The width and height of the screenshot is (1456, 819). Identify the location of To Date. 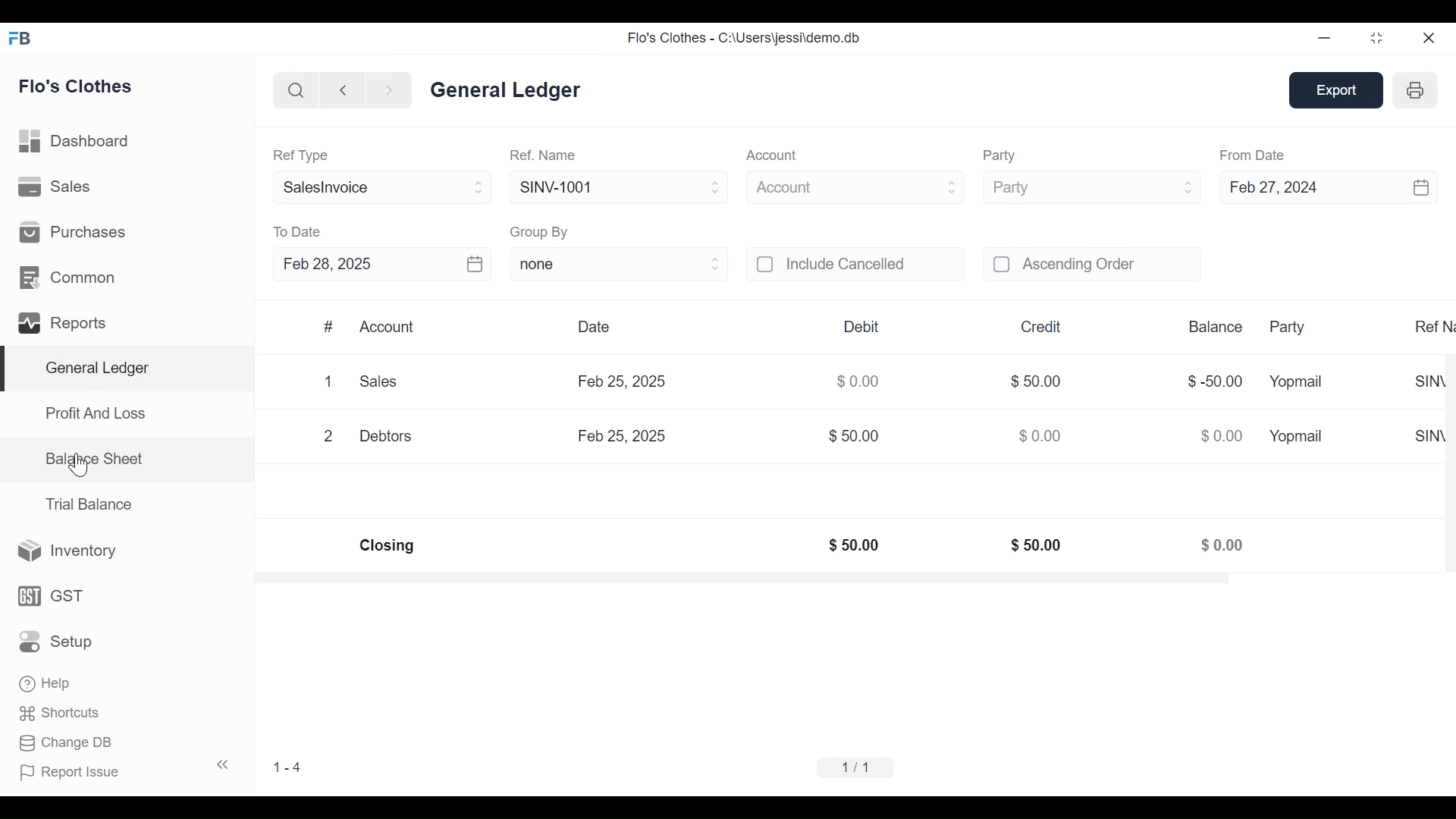
(298, 231).